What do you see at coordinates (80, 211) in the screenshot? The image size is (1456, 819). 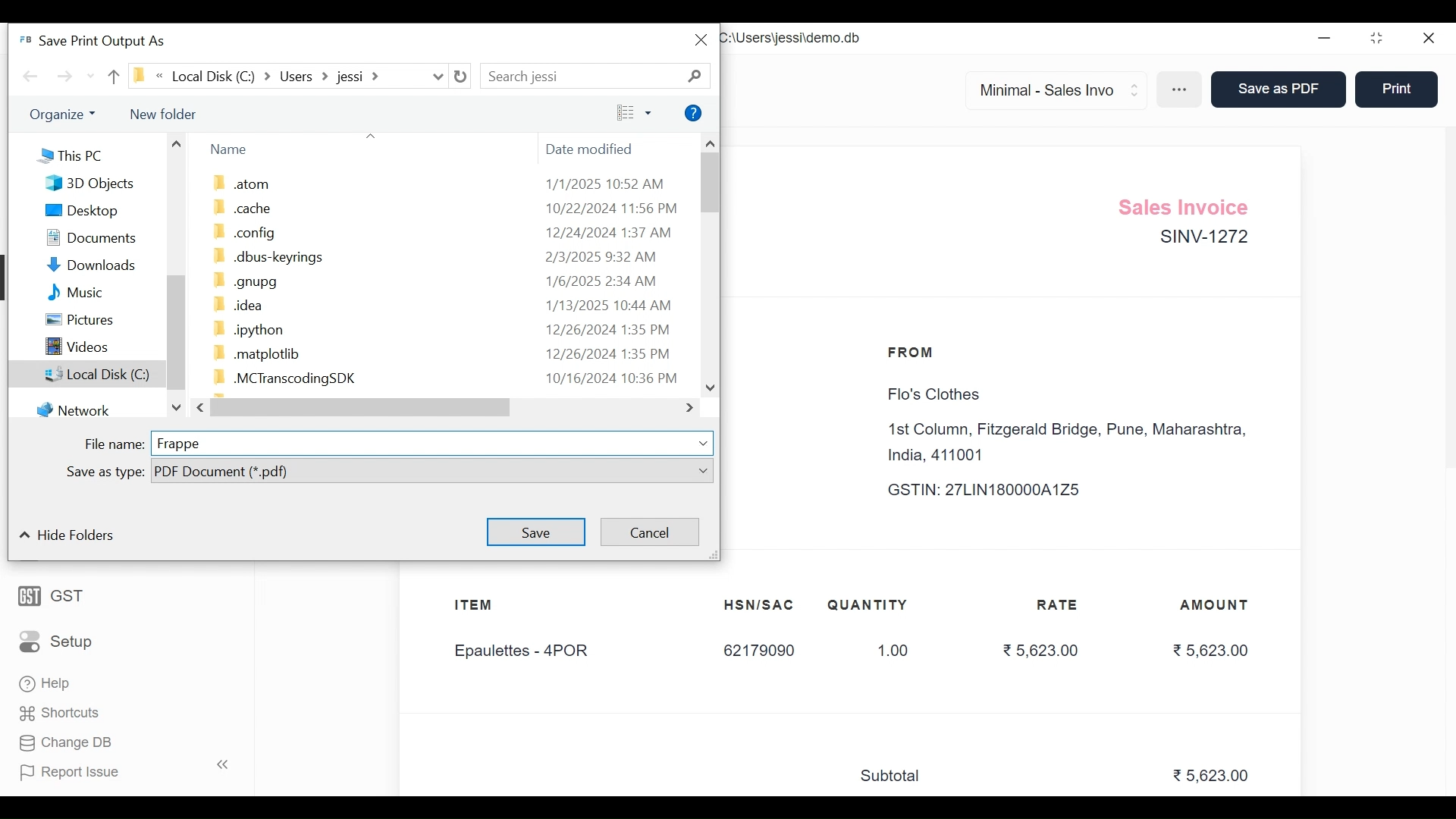 I see `Desktop` at bounding box center [80, 211].